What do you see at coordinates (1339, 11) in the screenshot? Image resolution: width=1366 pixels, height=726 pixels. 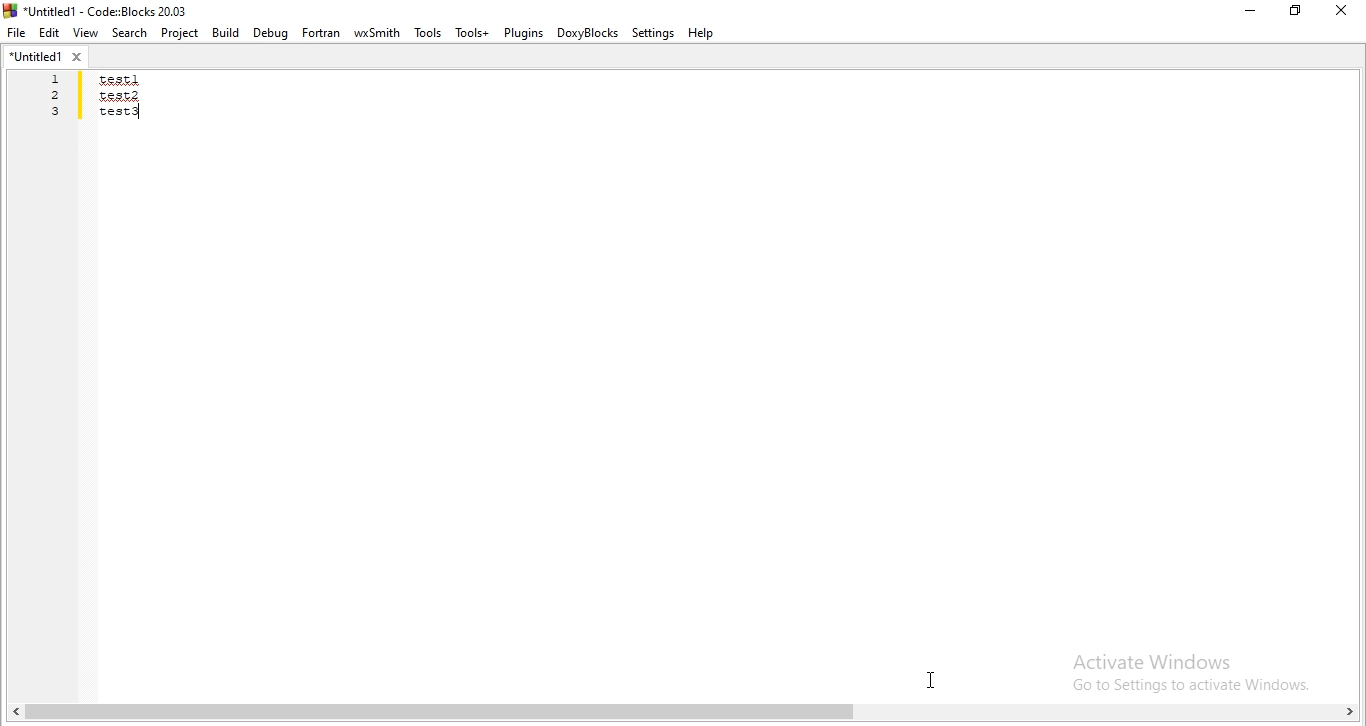 I see `Close` at bounding box center [1339, 11].